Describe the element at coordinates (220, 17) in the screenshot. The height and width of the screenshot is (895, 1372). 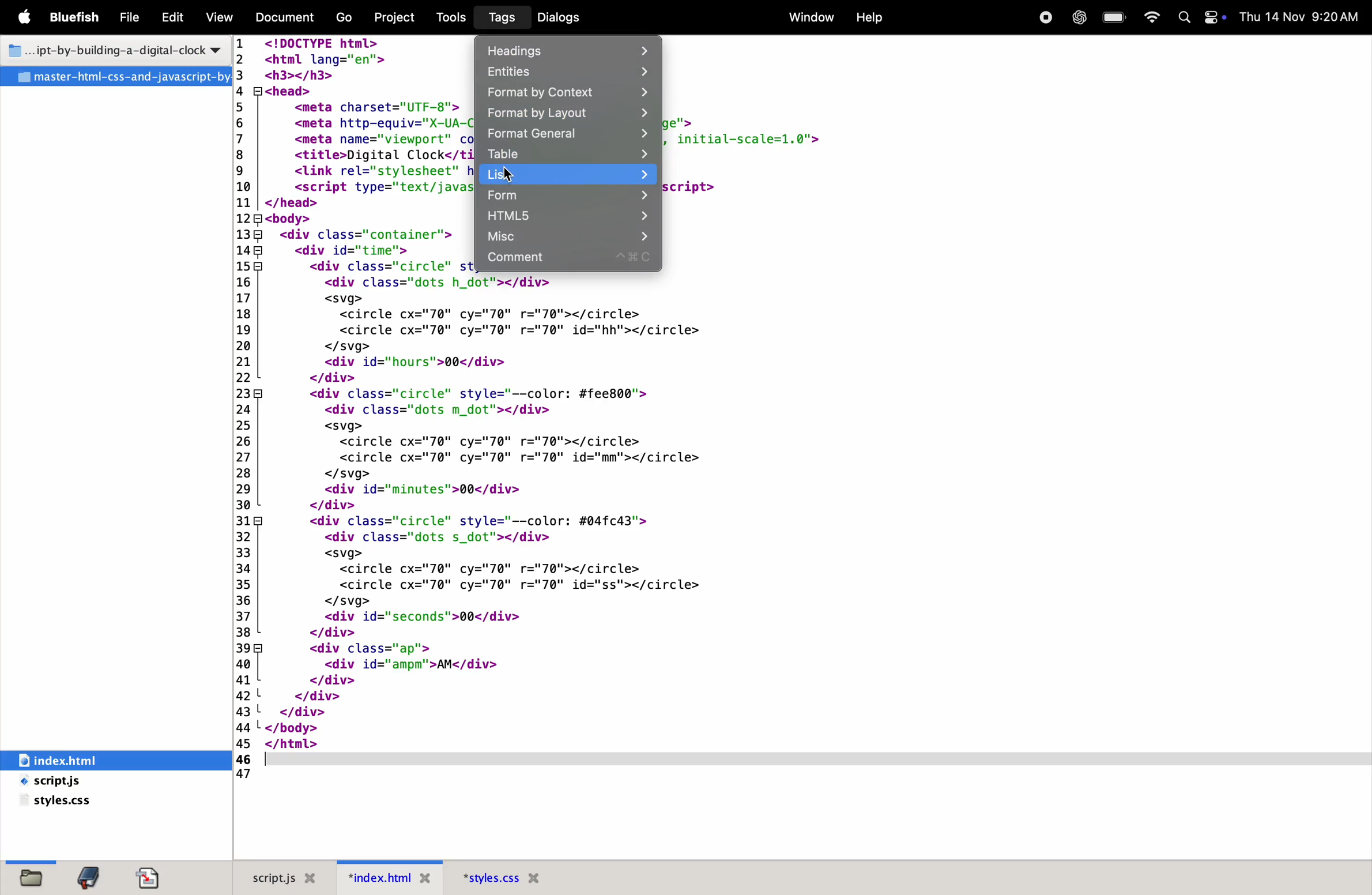
I see `View` at that location.